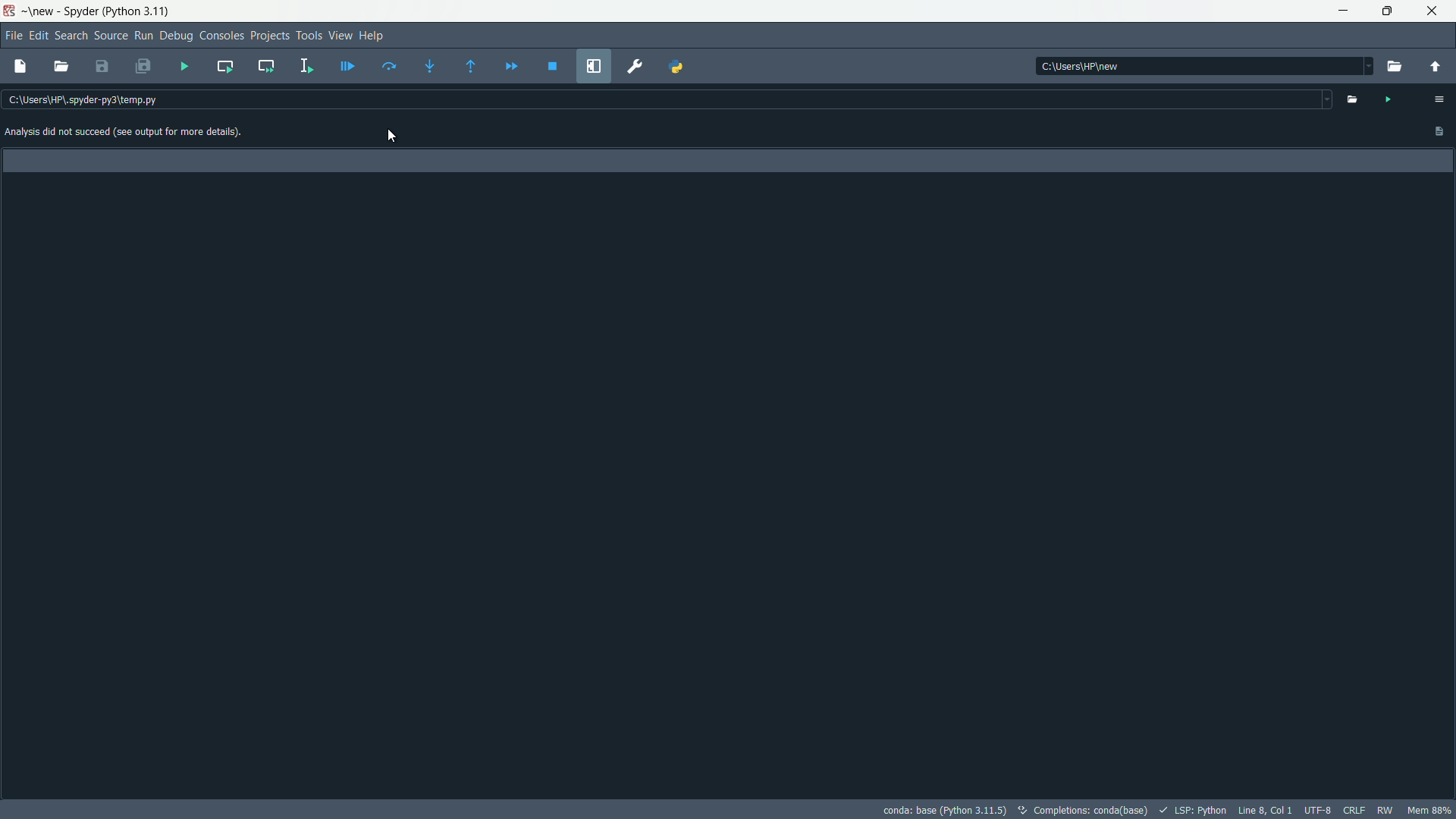 The height and width of the screenshot is (819, 1456). I want to click on file menu, so click(11, 36).